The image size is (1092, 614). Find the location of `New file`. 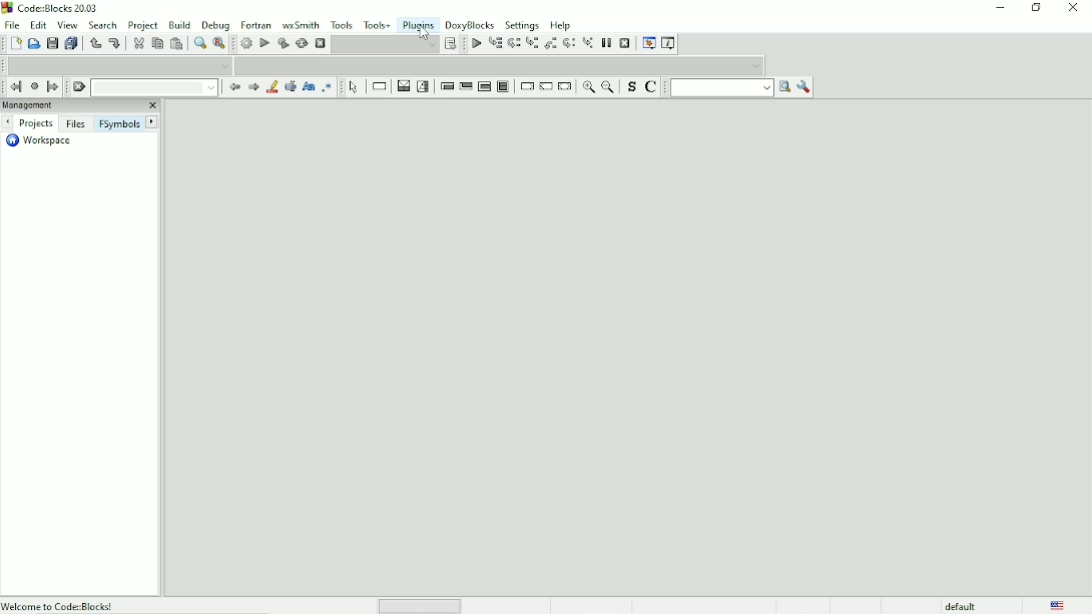

New file is located at coordinates (16, 44).